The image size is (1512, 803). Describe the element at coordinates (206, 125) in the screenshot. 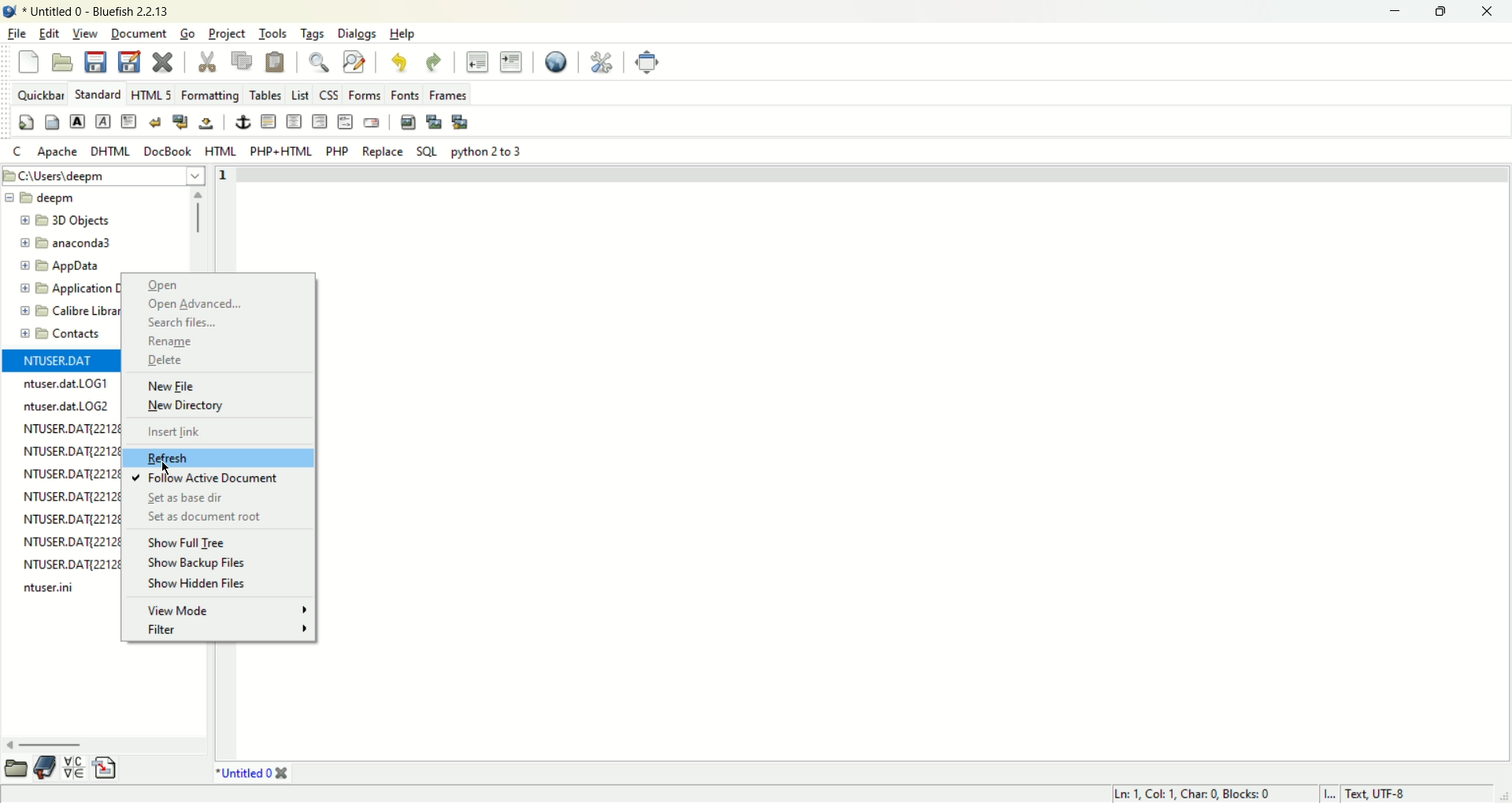

I see `non breaking space` at that location.